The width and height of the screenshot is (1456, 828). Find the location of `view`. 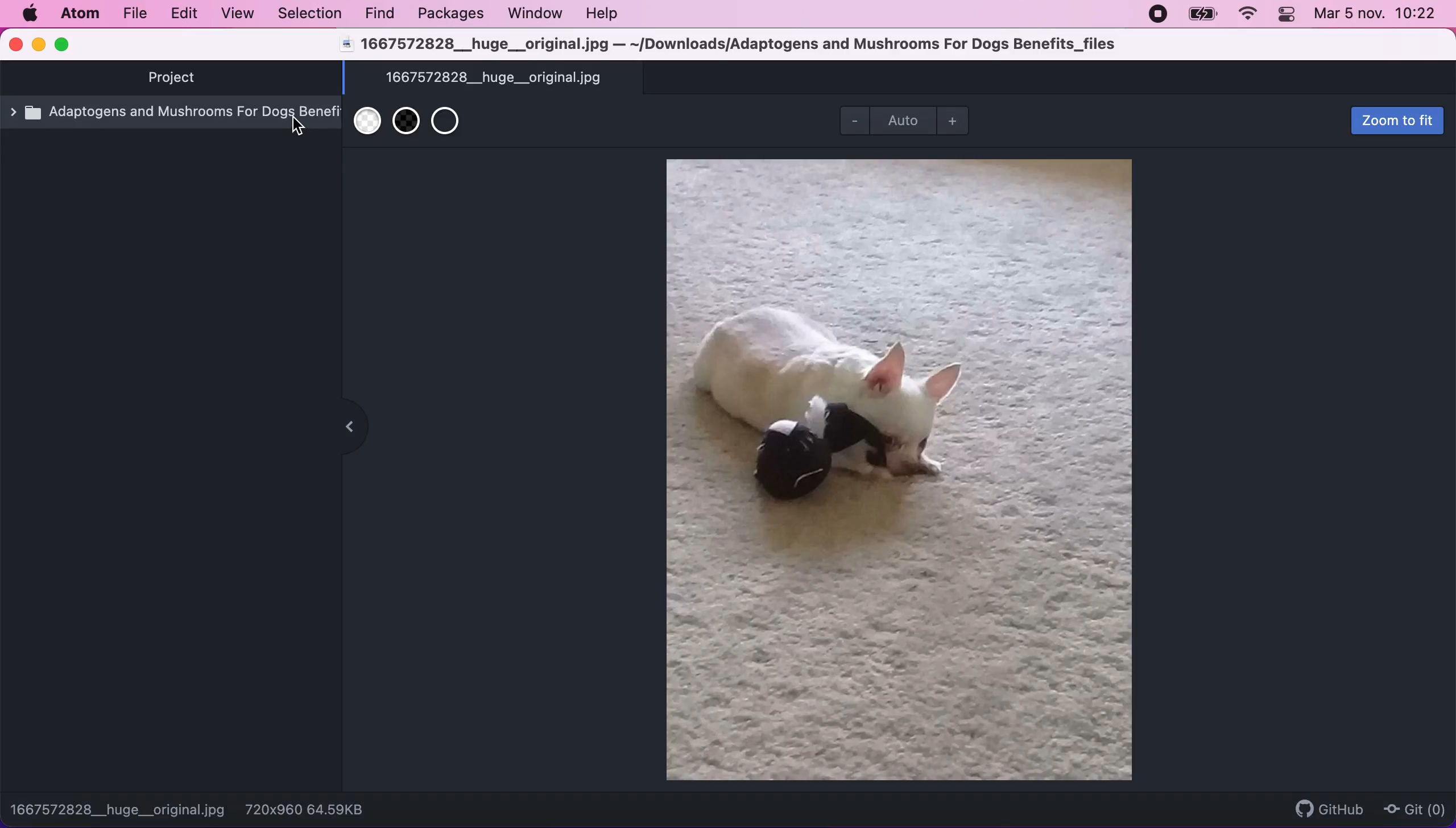

view is located at coordinates (237, 15).